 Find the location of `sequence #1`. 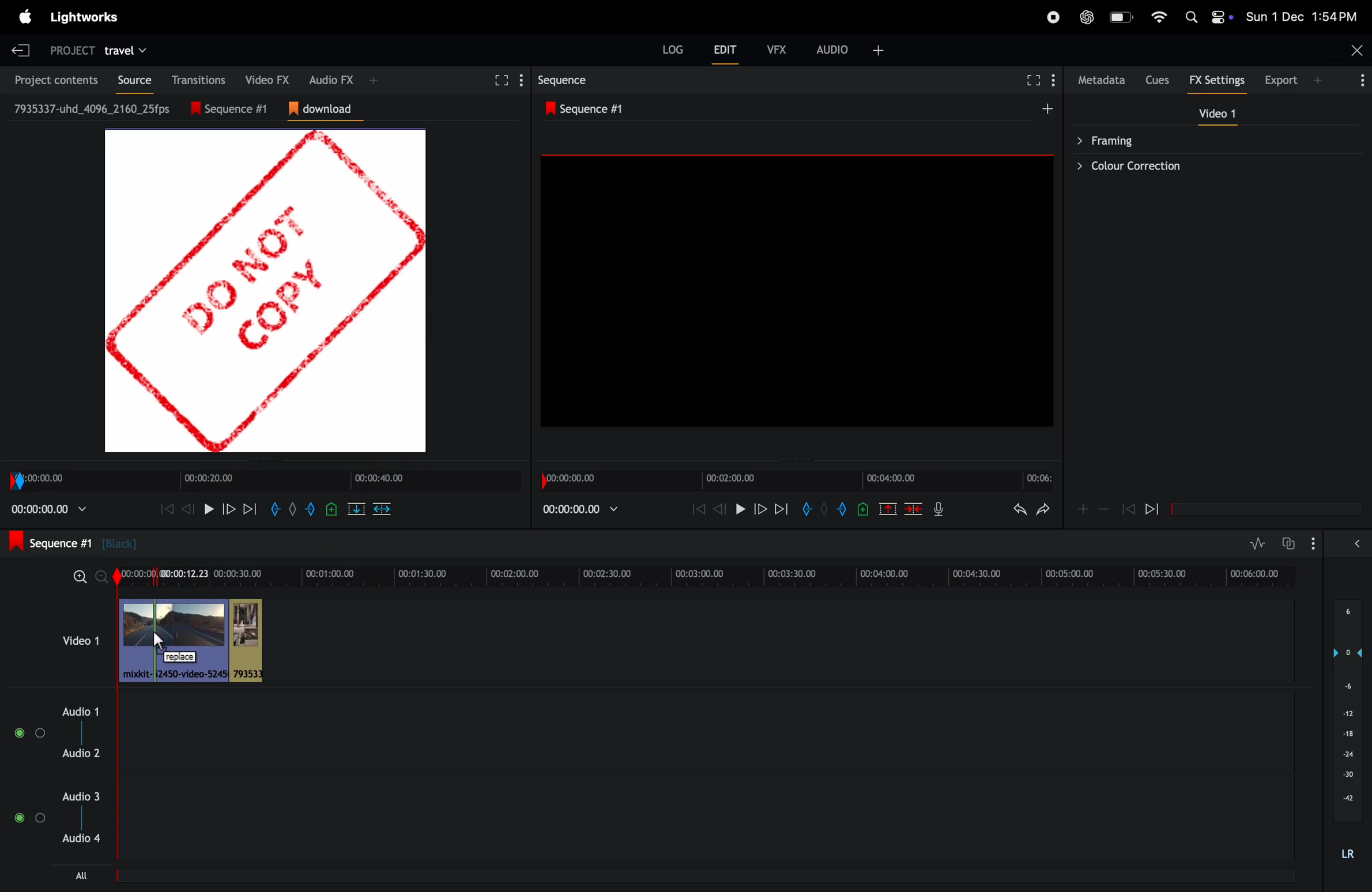

sequence #1 is located at coordinates (589, 109).